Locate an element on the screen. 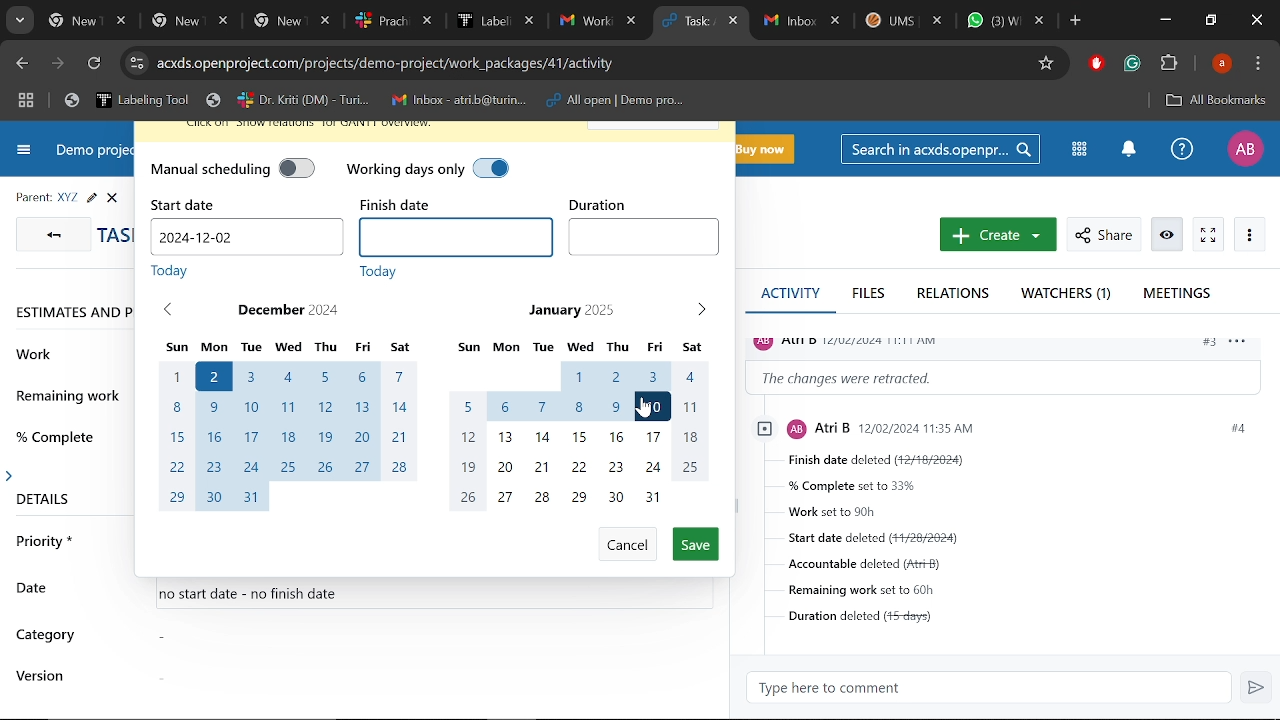 This screenshot has height=720, width=1280. Relations is located at coordinates (958, 295).